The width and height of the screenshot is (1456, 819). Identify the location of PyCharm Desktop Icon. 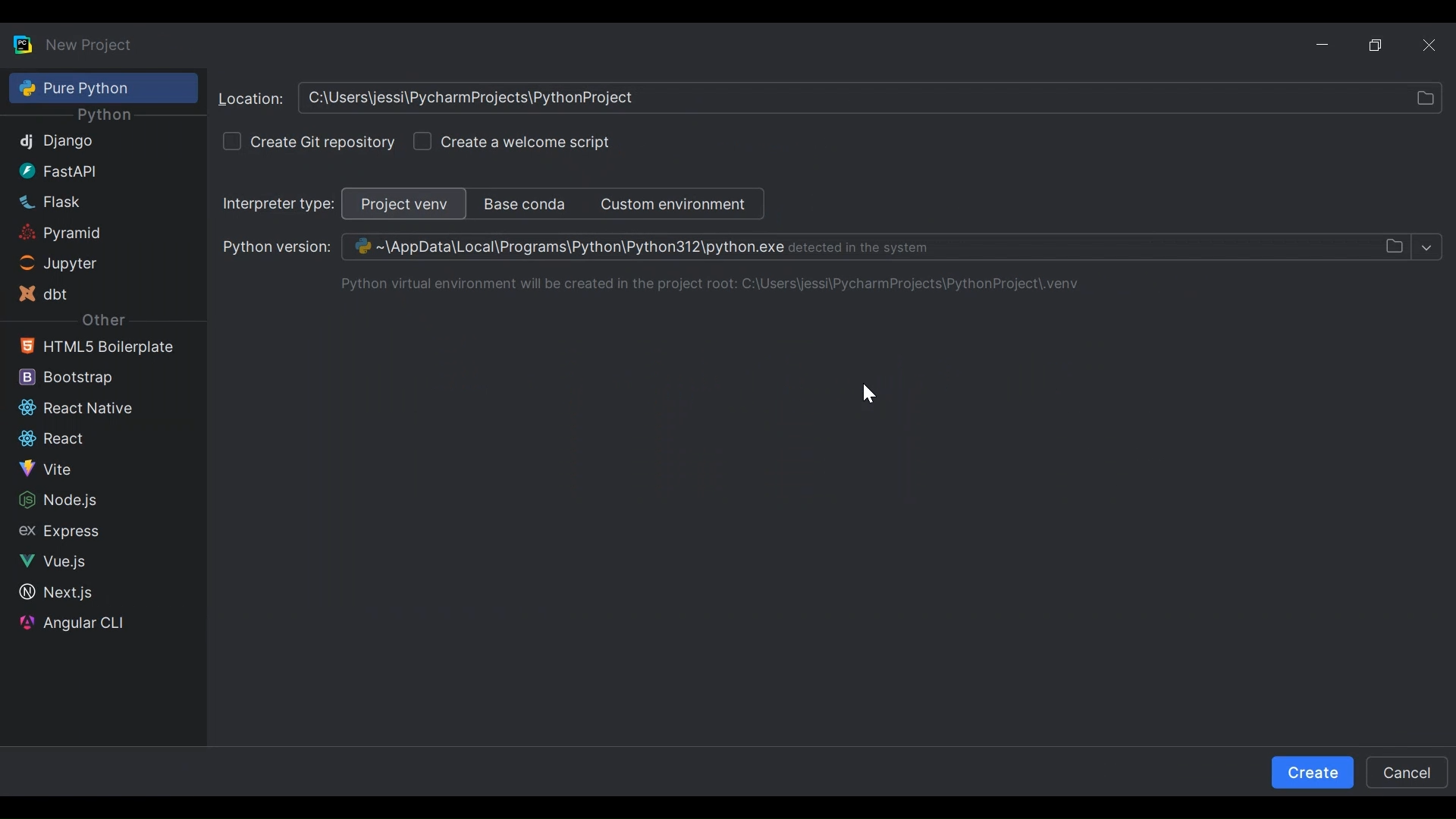
(22, 45).